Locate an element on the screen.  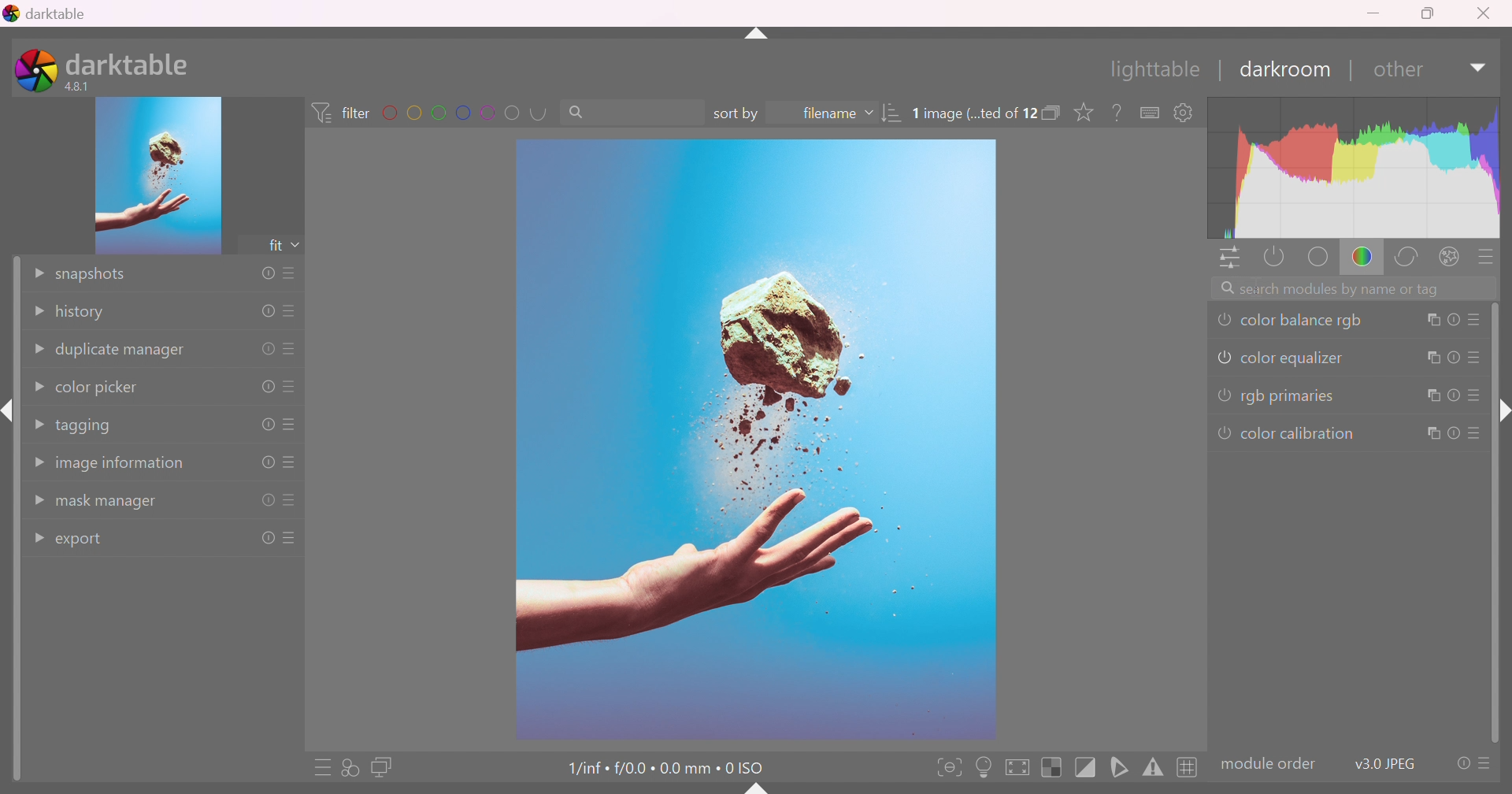
darkroom is located at coordinates (1291, 71).